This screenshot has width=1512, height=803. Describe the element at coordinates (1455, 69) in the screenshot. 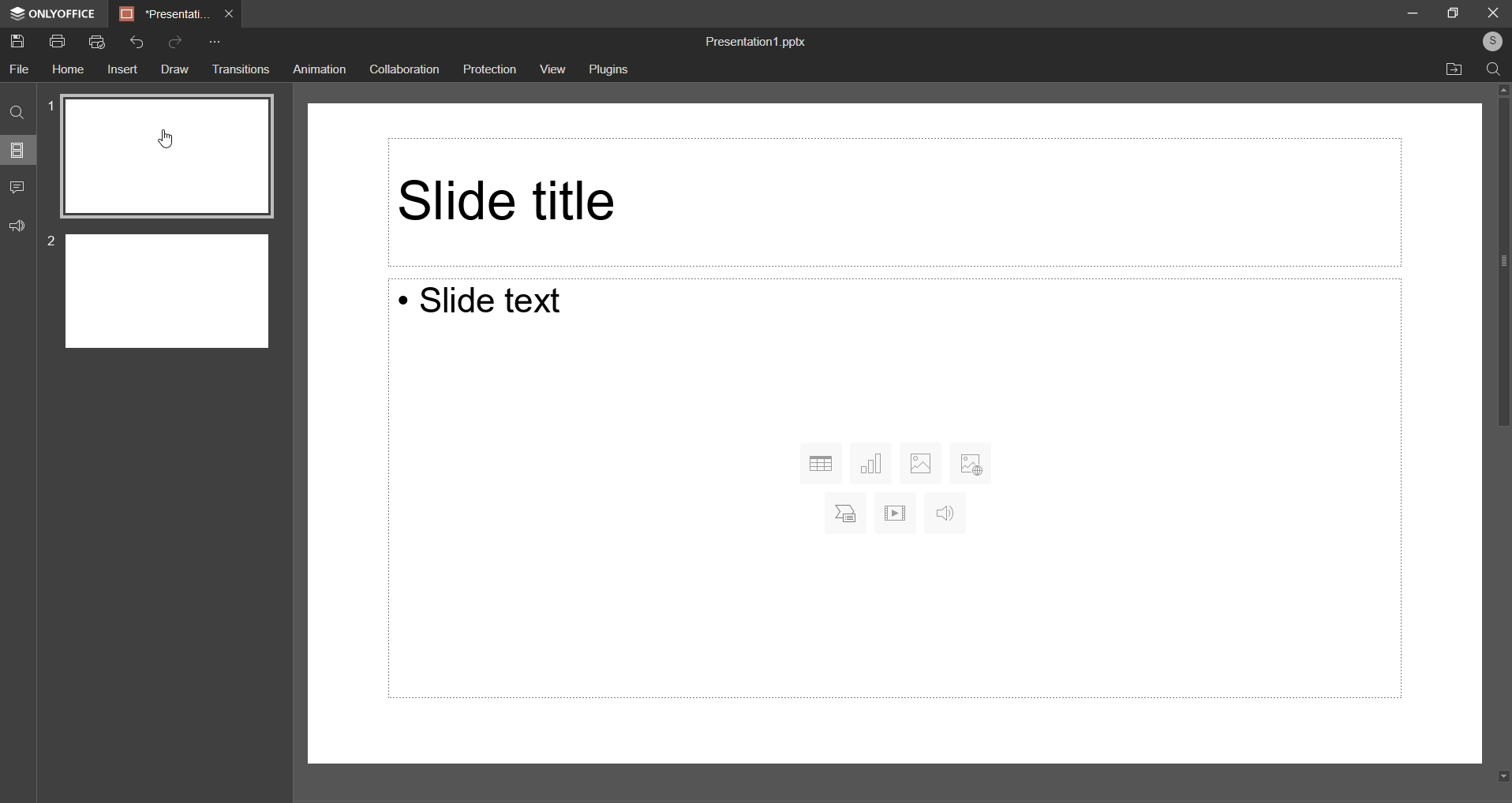

I see `Open` at that location.